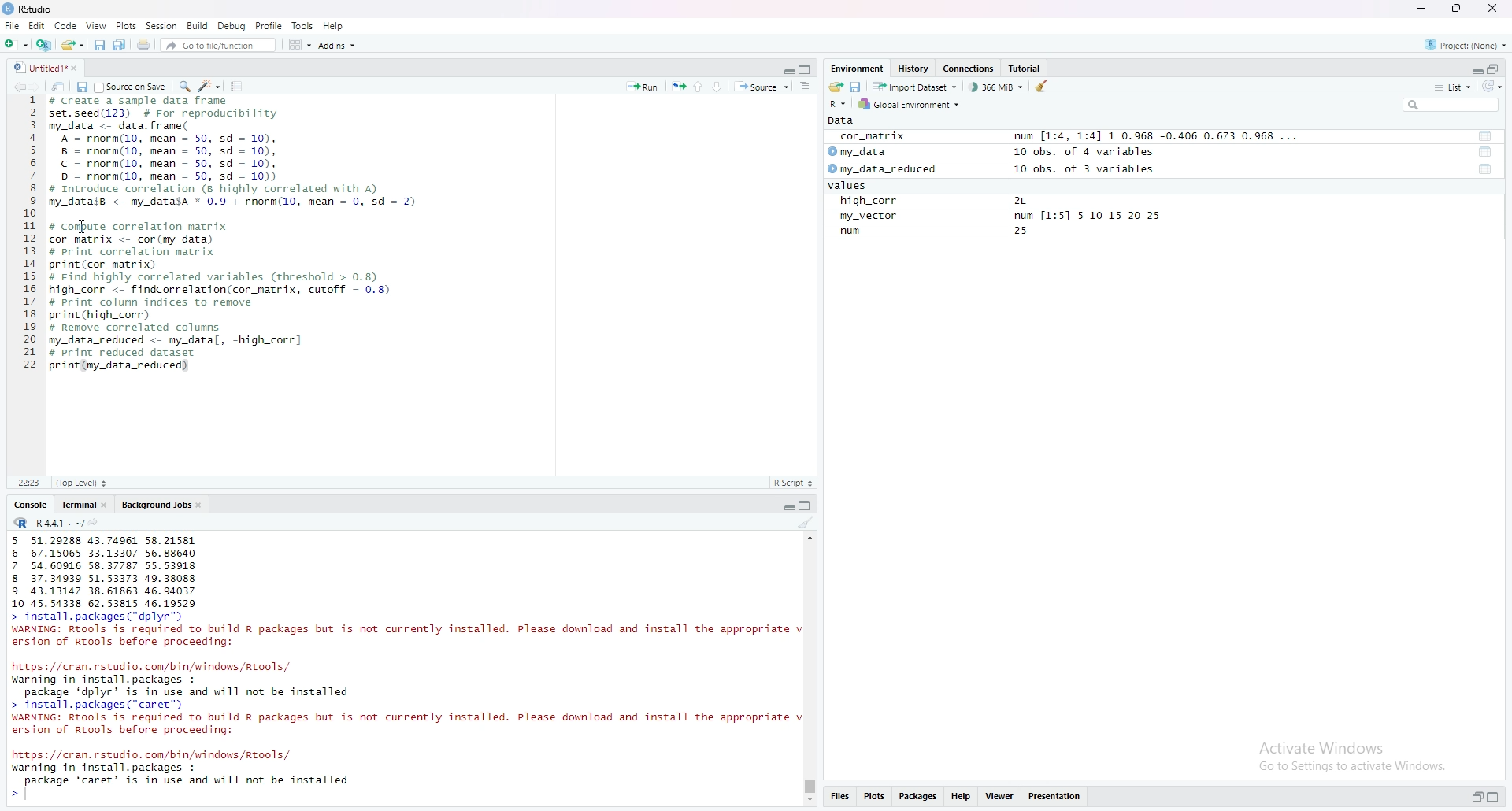 The height and width of the screenshot is (811, 1512). I want to click on share, so click(836, 87).